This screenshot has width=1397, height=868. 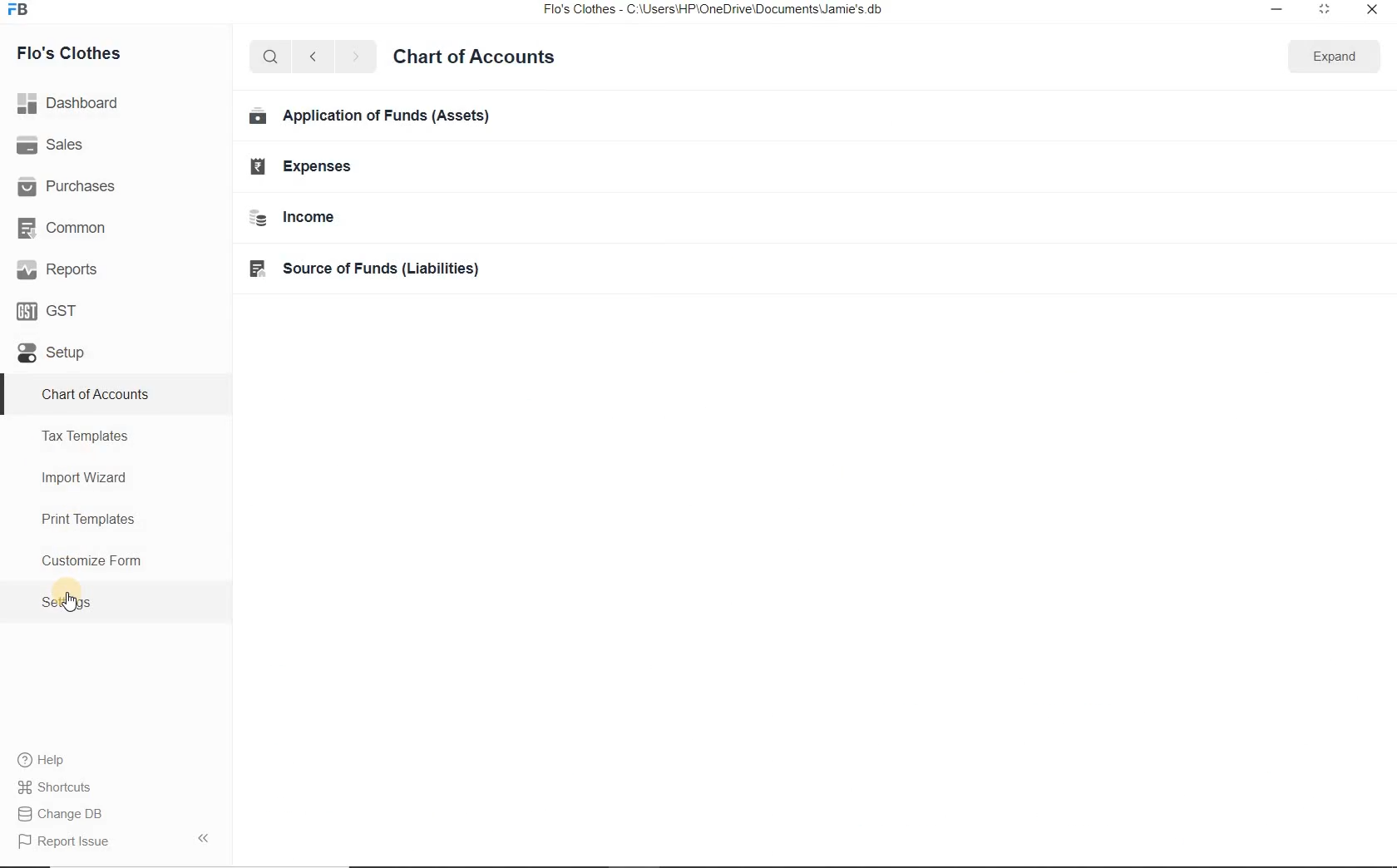 What do you see at coordinates (41, 759) in the screenshot?
I see `Help` at bounding box center [41, 759].